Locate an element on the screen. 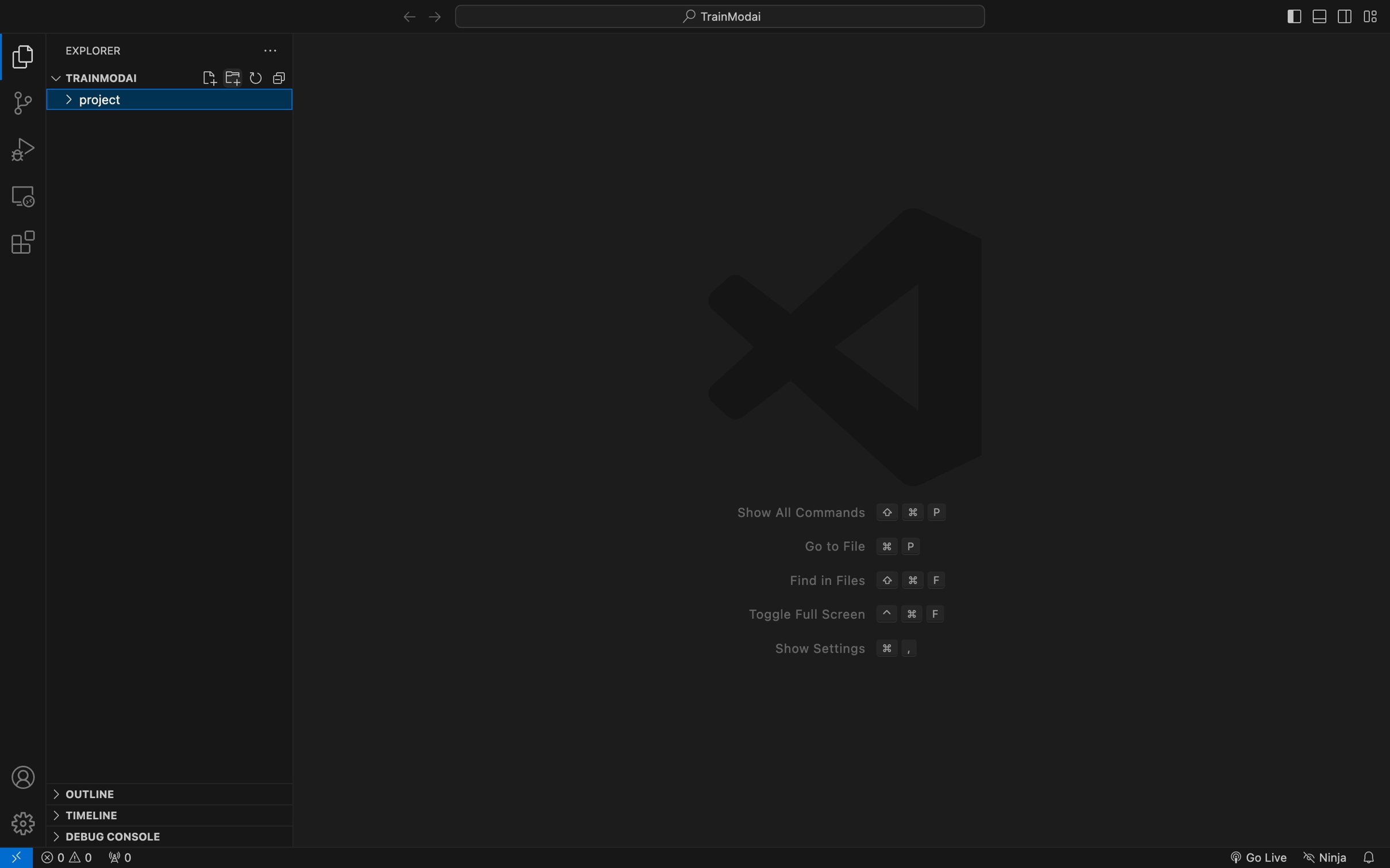  0 is located at coordinates (118, 858).